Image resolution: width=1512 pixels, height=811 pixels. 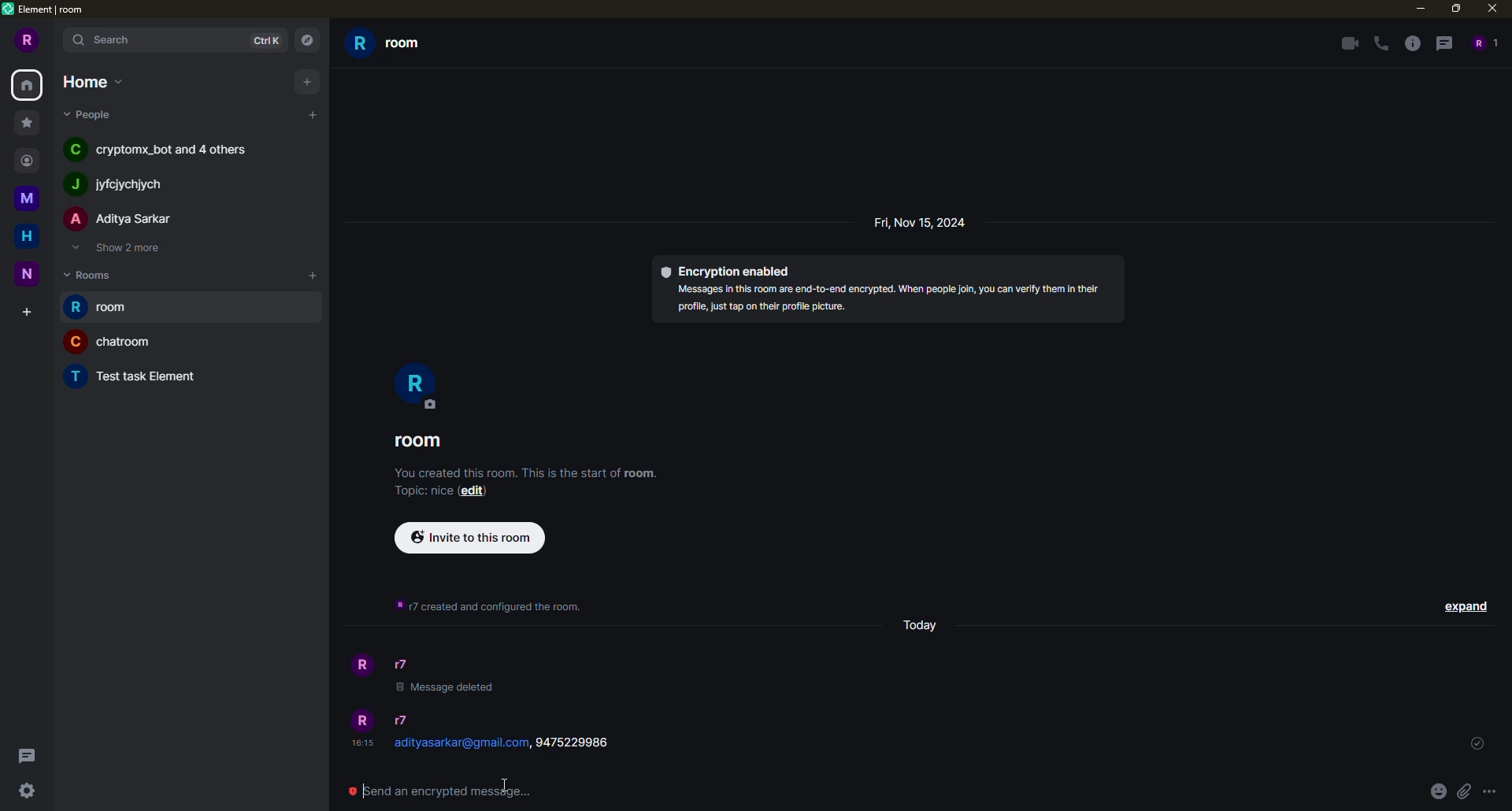 What do you see at coordinates (362, 719) in the screenshot?
I see `profile` at bounding box center [362, 719].